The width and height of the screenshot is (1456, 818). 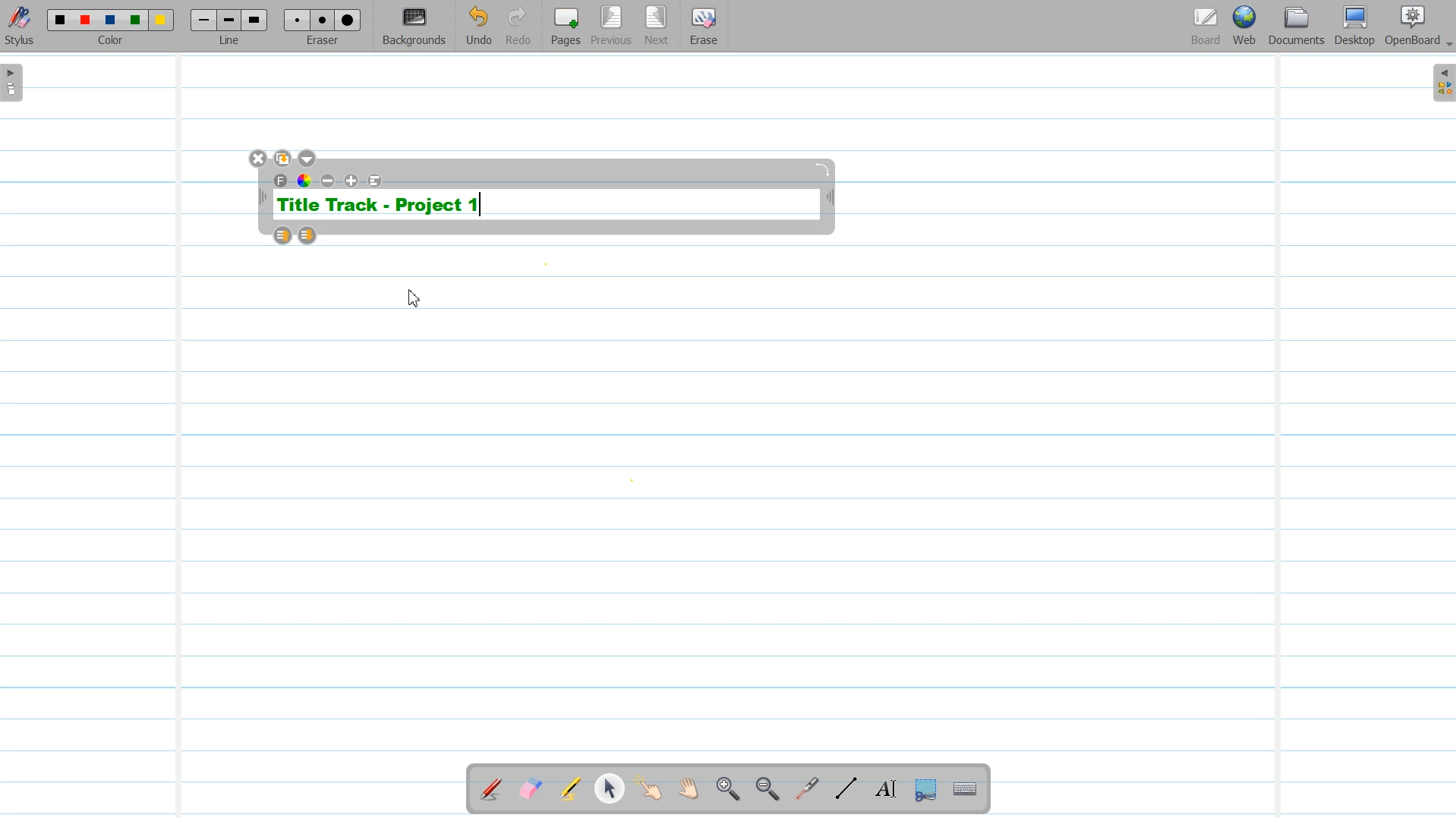 I want to click on Annotate Document, so click(x=491, y=789).